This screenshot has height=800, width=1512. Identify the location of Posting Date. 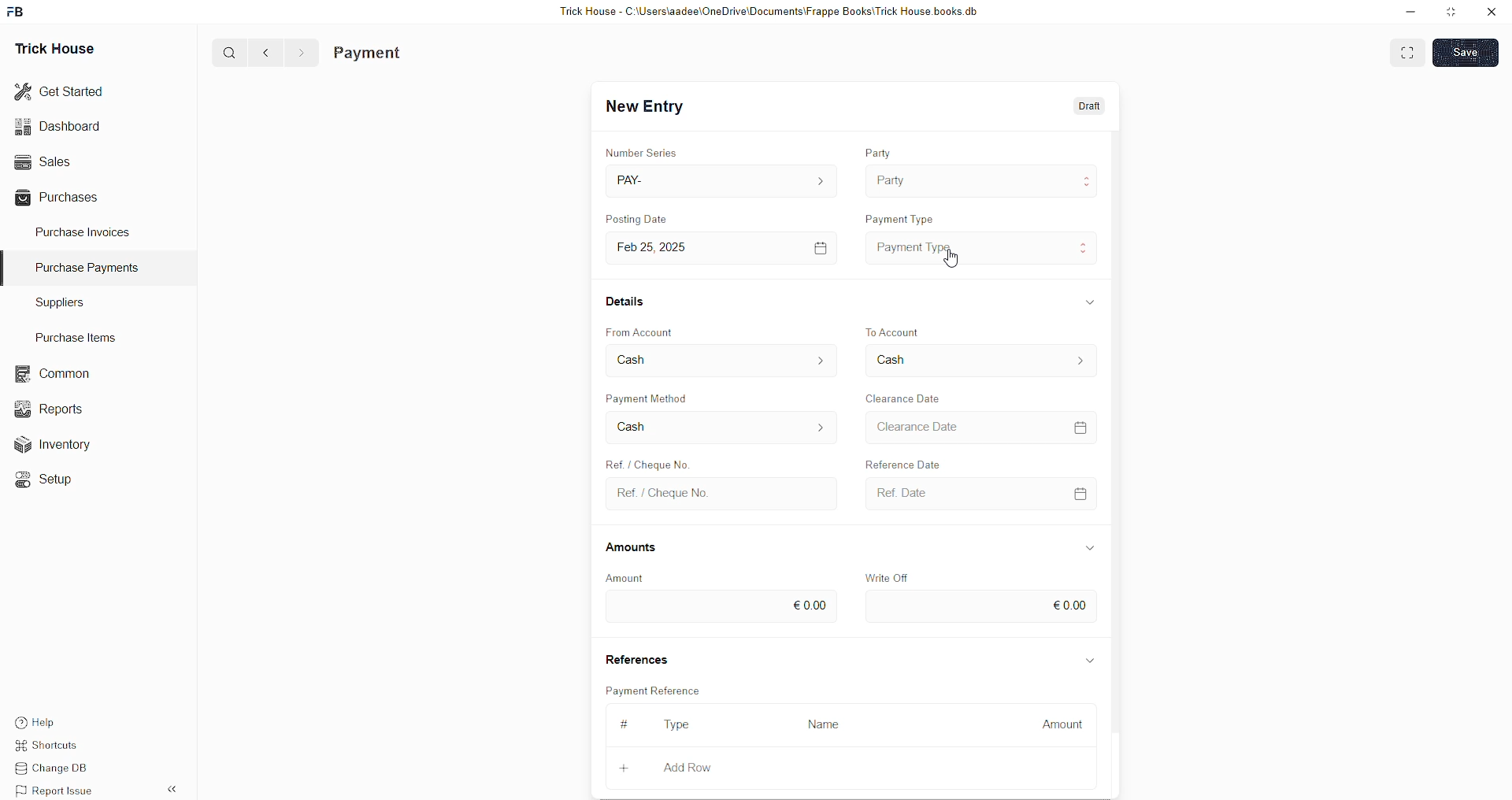
(647, 220).